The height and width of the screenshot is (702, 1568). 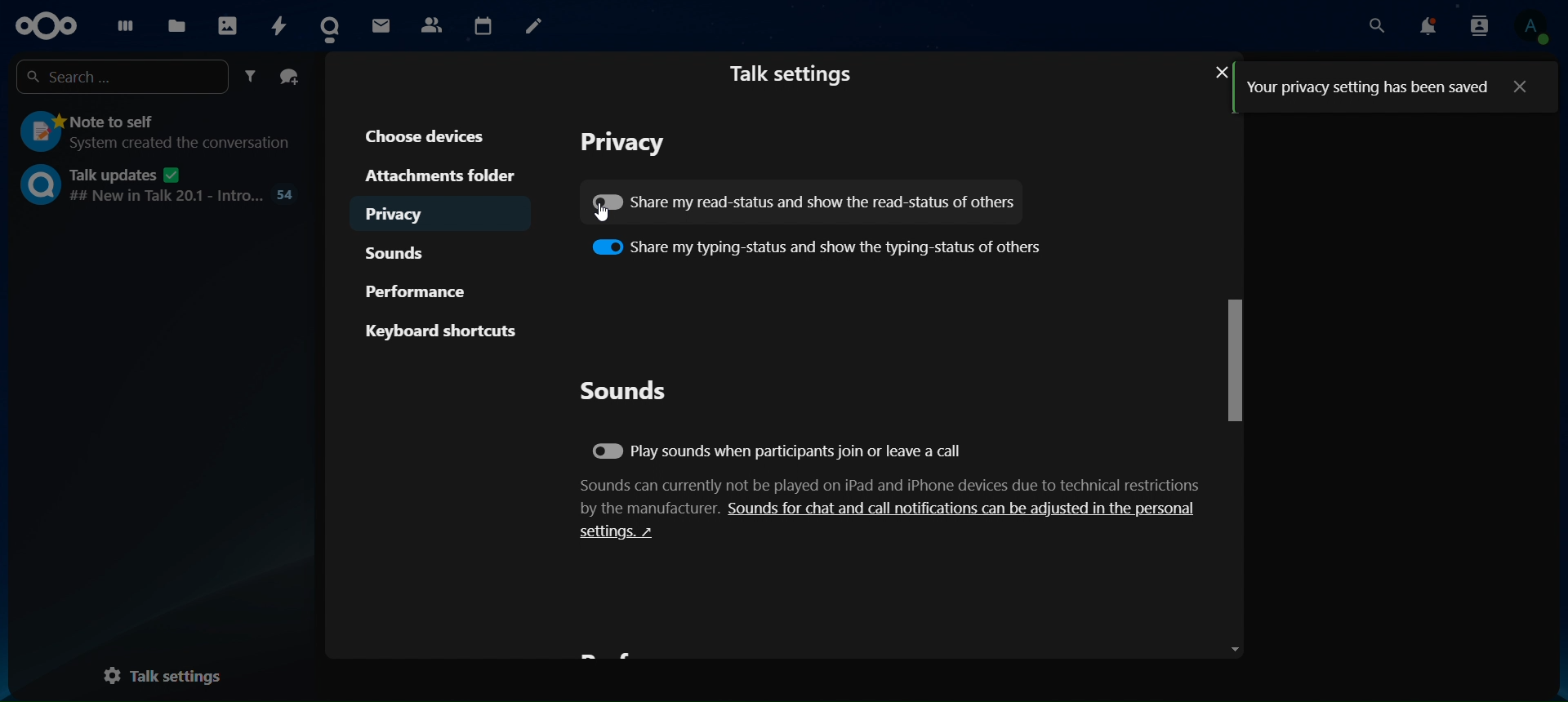 What do you see at coordinates (279, 24) in the screenshot?
I see `activity` at bounding box center [279, 24].